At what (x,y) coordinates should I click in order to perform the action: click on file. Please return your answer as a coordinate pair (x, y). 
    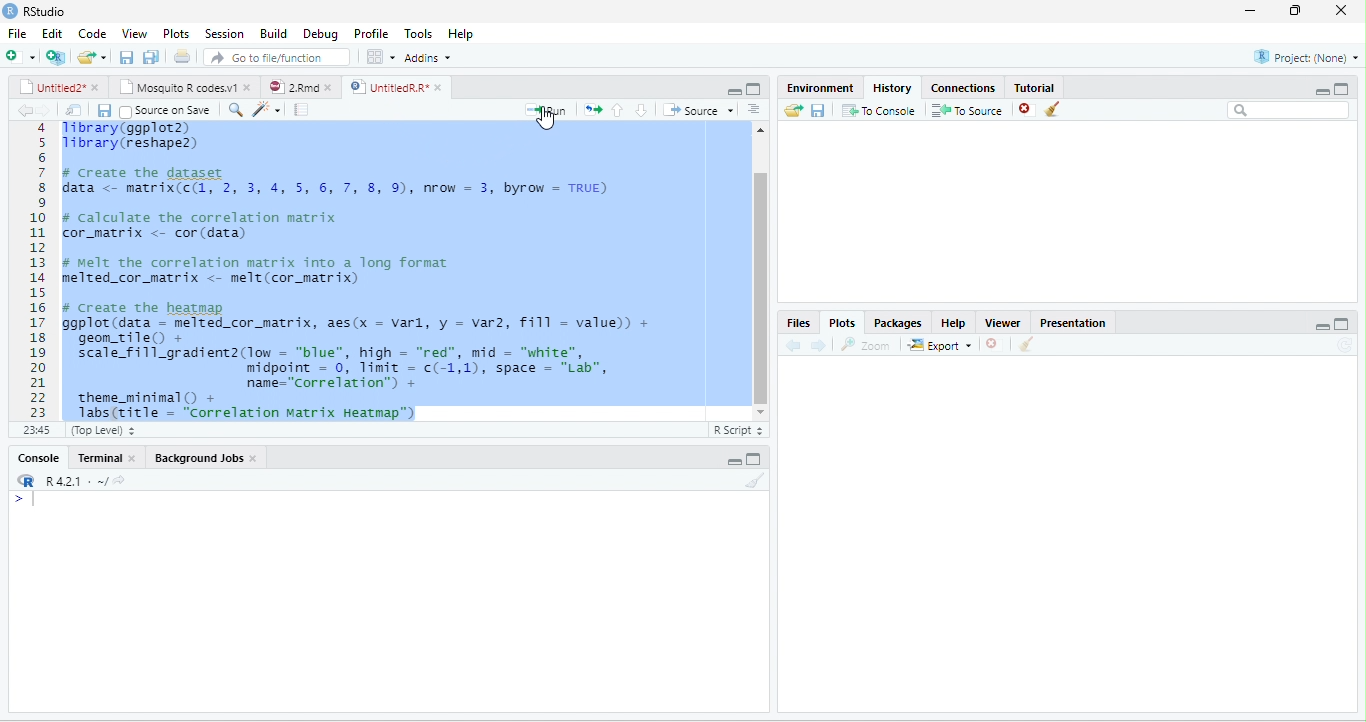
    Looking at the image, I should click on (17, 33).